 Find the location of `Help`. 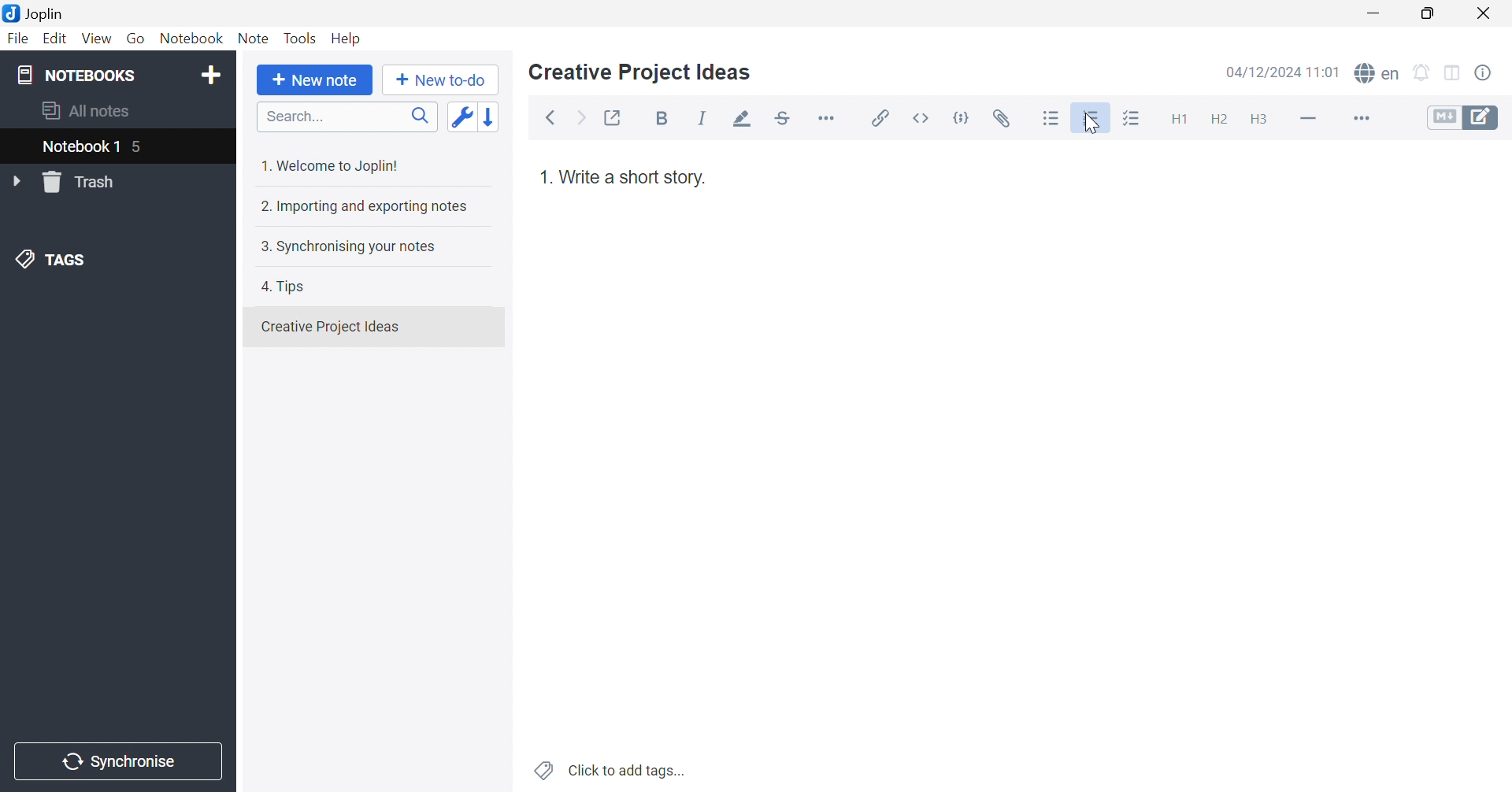

Help is located at coordinates (347, 38).